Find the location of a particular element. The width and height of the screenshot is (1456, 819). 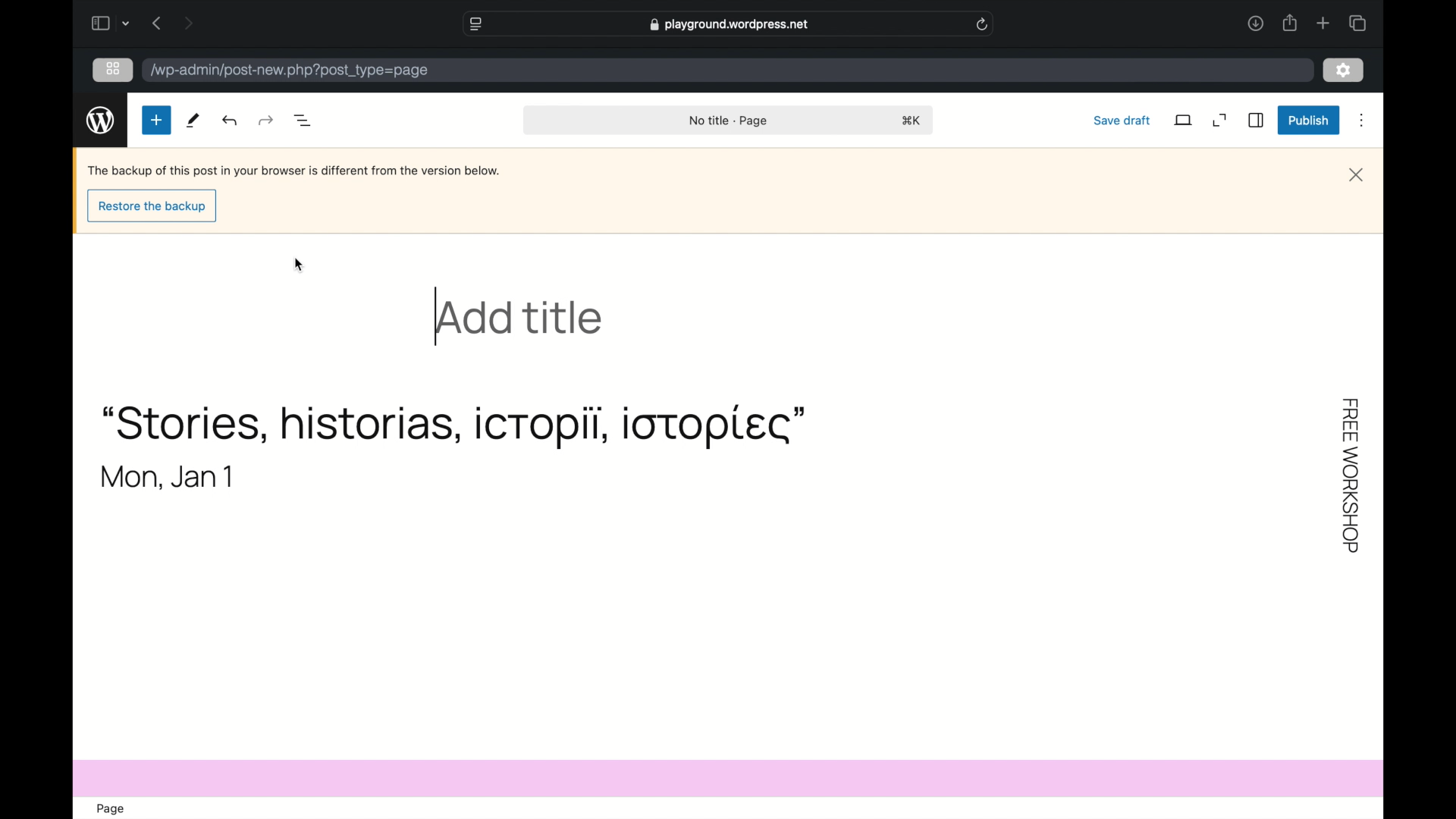

cursor is located at coordinates (299, 266).